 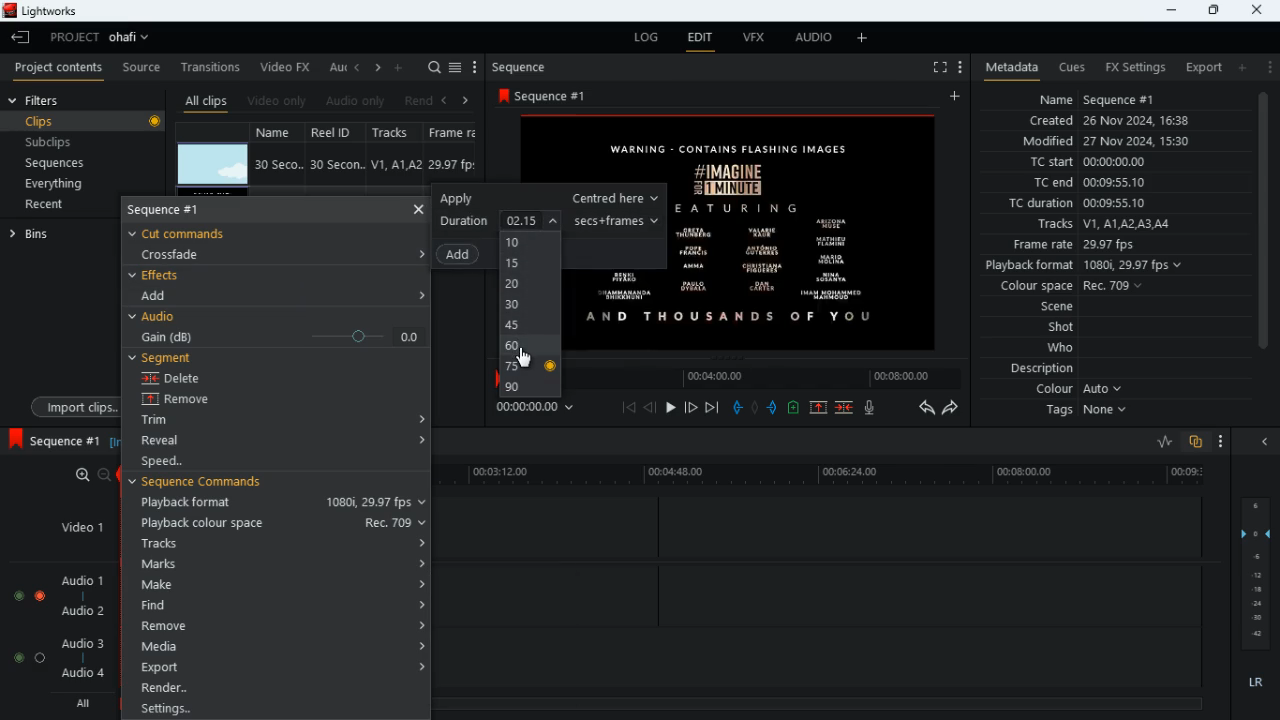 What do you see at coordinates (625, 303) in the screenshot?
I see `text` at bounding box center [625, 303].